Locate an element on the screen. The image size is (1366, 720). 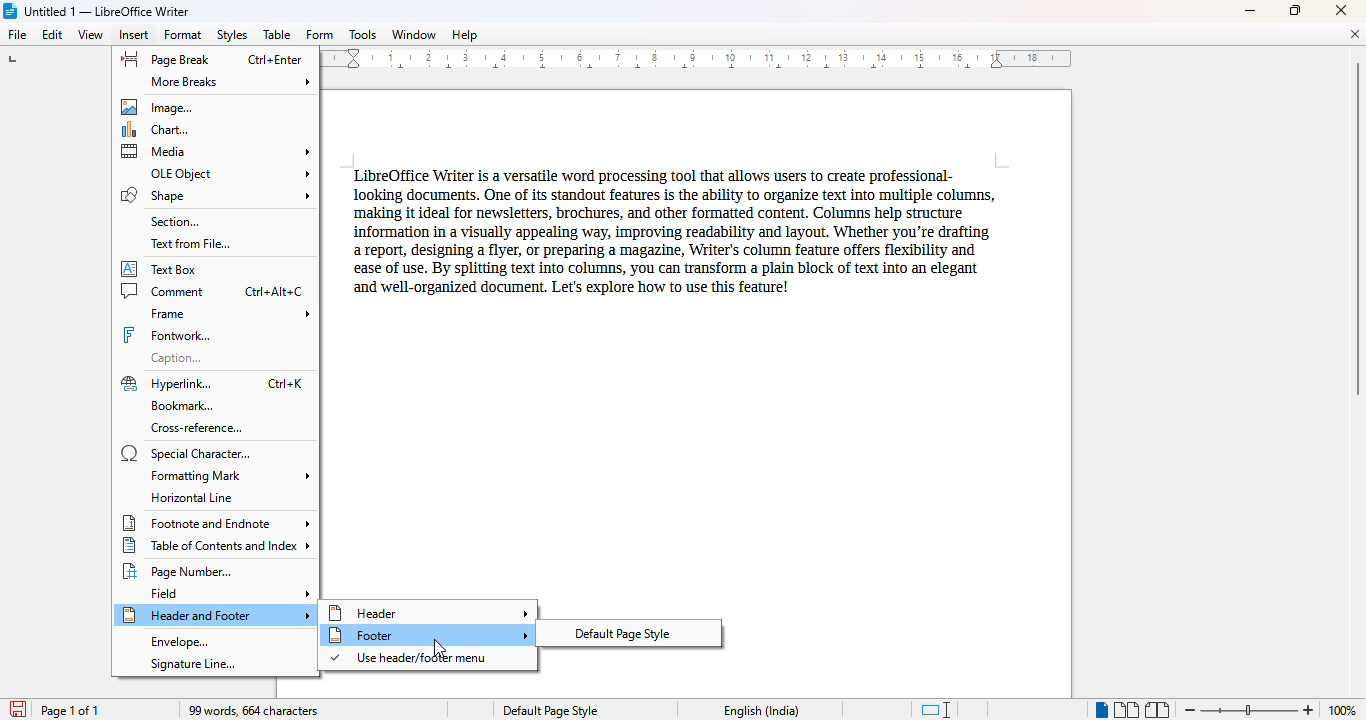
page 1 of 1 is located at coordinates (70, 710).